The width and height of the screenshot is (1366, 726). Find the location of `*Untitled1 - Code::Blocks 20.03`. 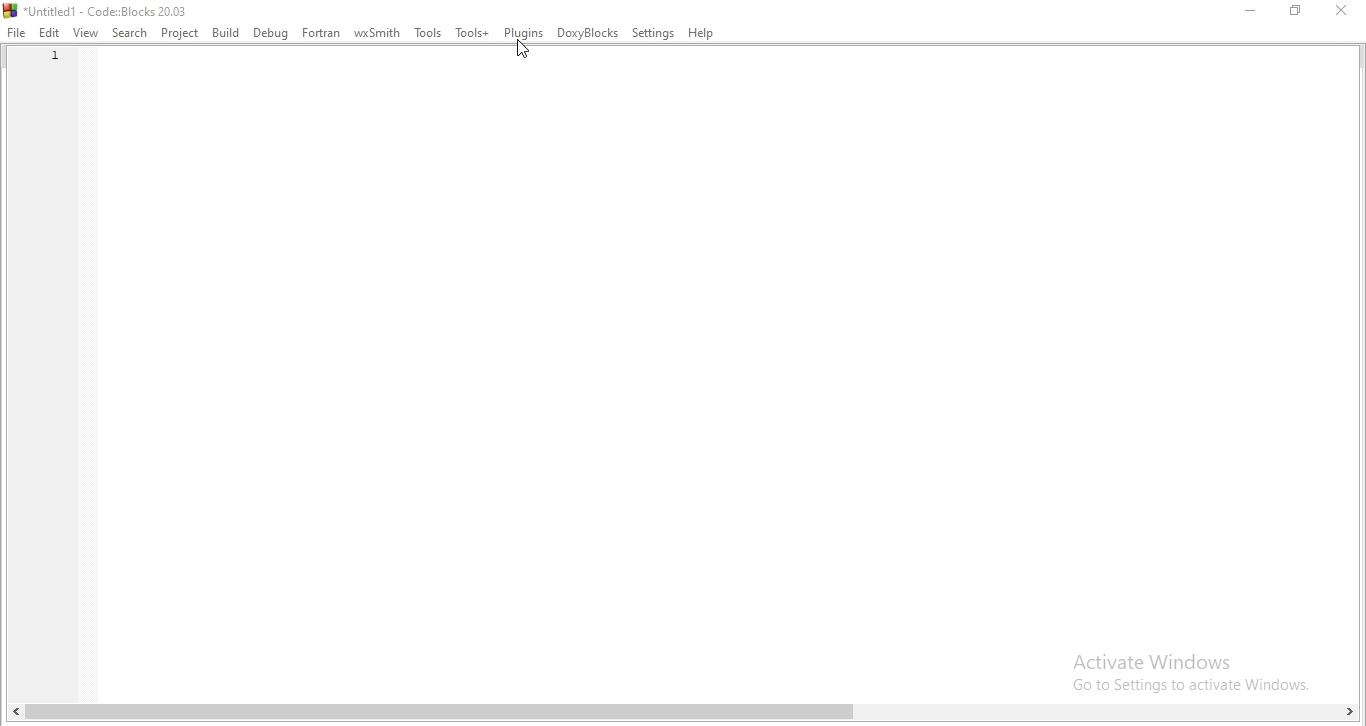

*Untitled1 - Code::Blocks 20.03 is located at coordinates (97, 10).